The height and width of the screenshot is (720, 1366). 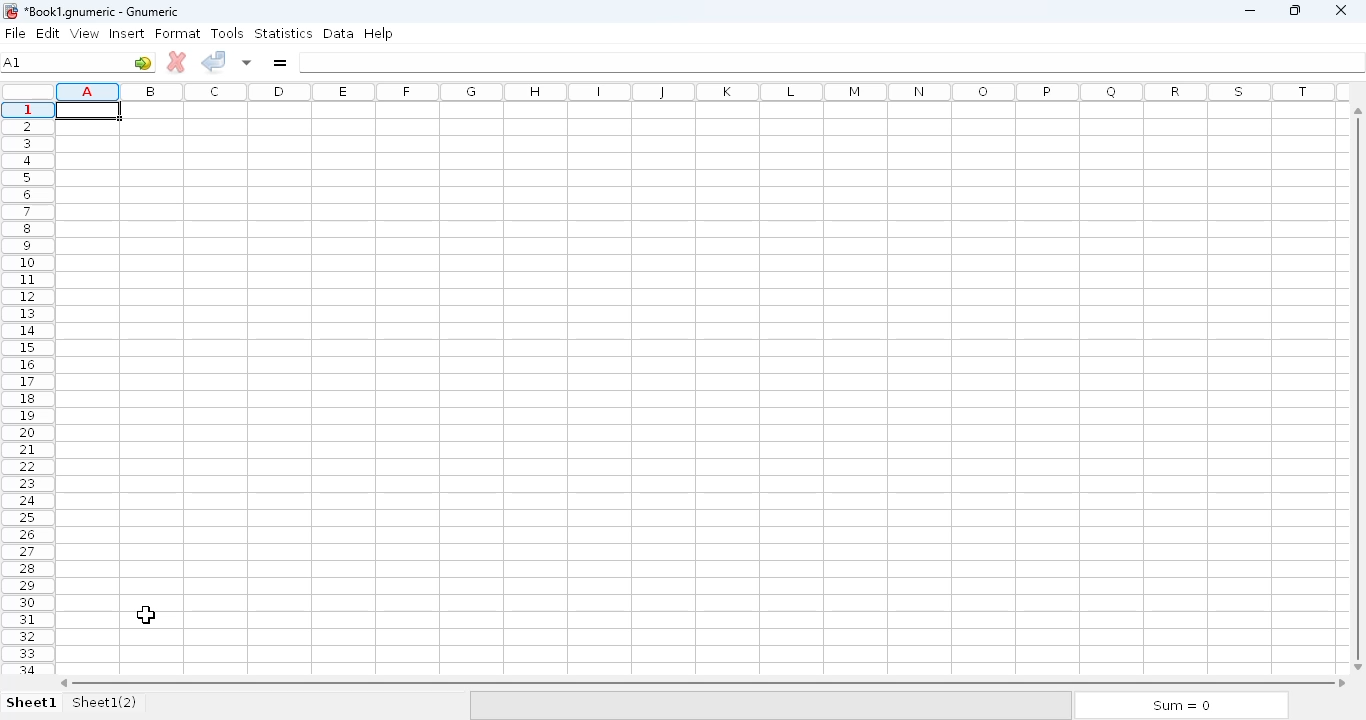 I want to click on sheet1(2) [duplicate worksheet], so click(x=105, y=701).